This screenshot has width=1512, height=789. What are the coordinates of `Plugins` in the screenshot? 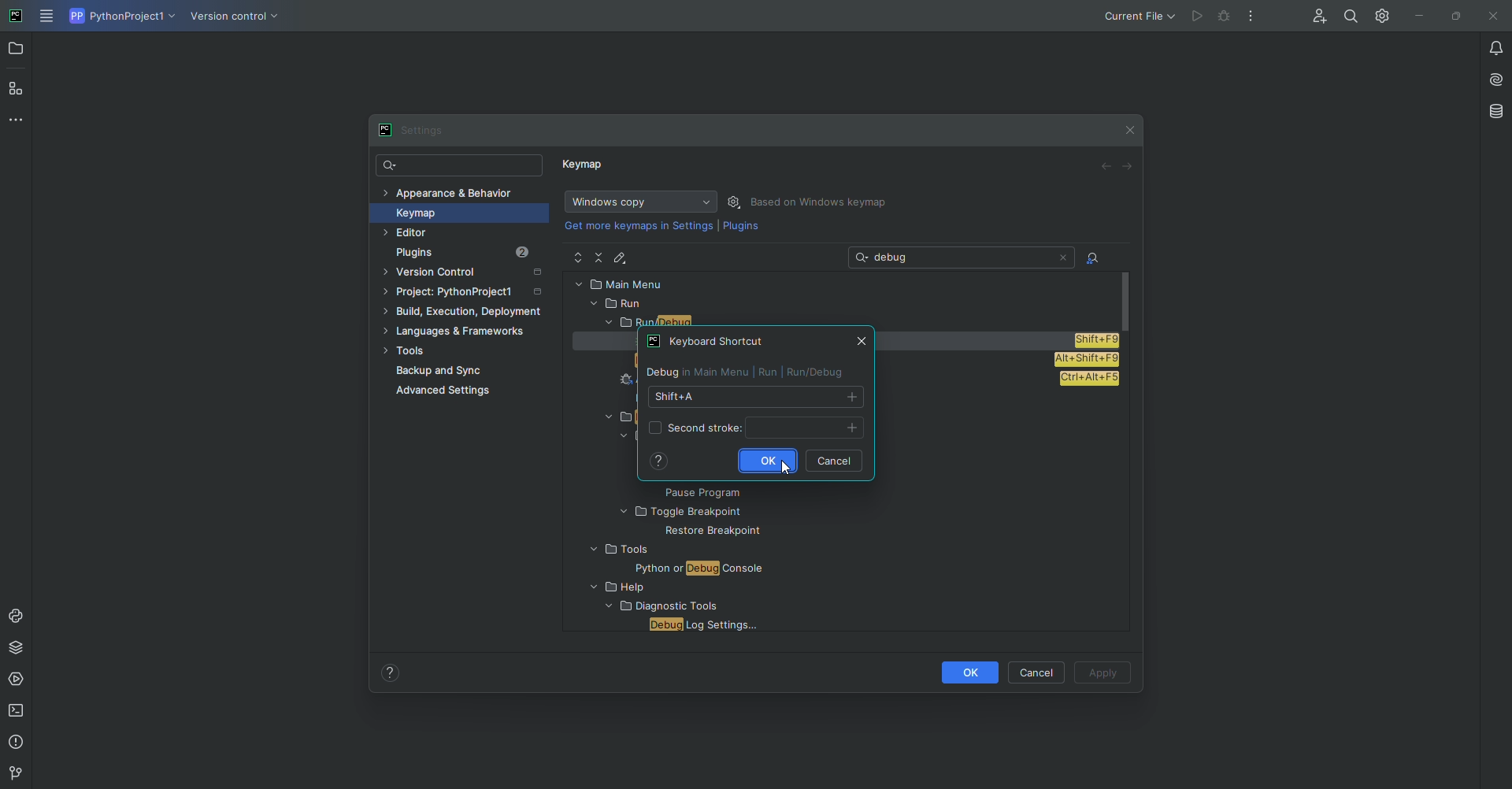 It's located at (474, 253).